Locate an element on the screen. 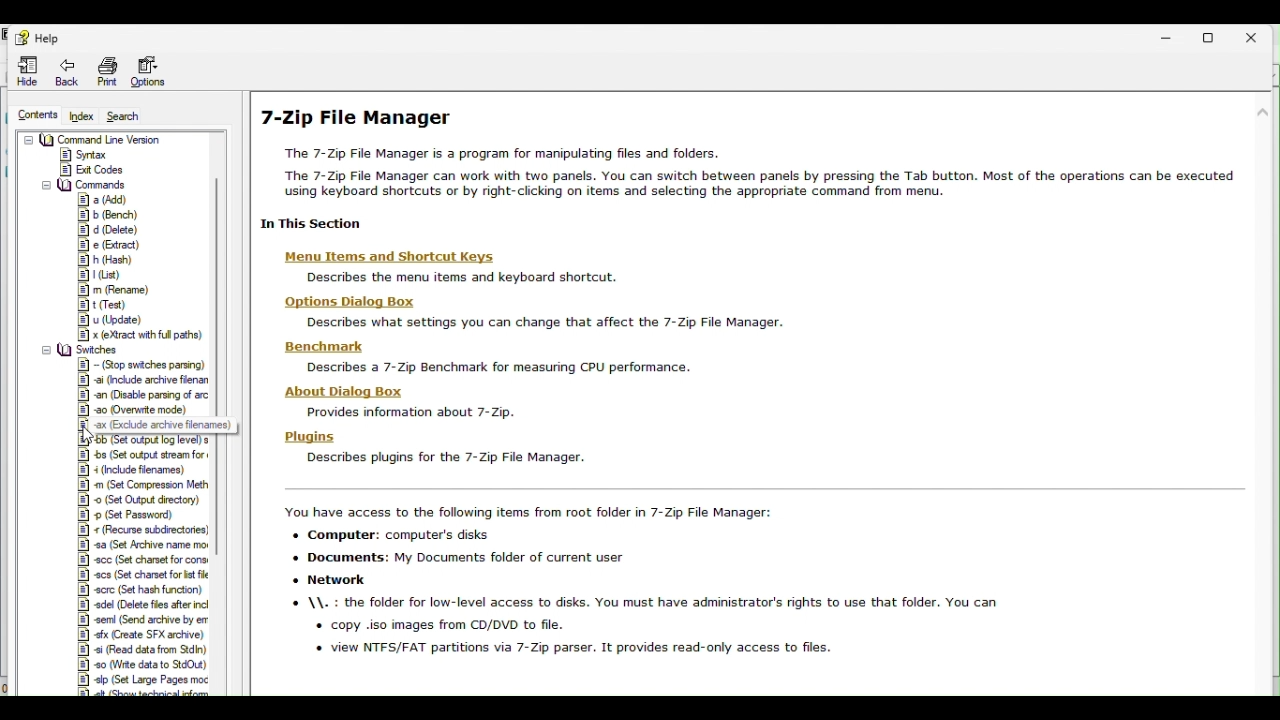  Hons Di: is located at coordinates (352, 302).